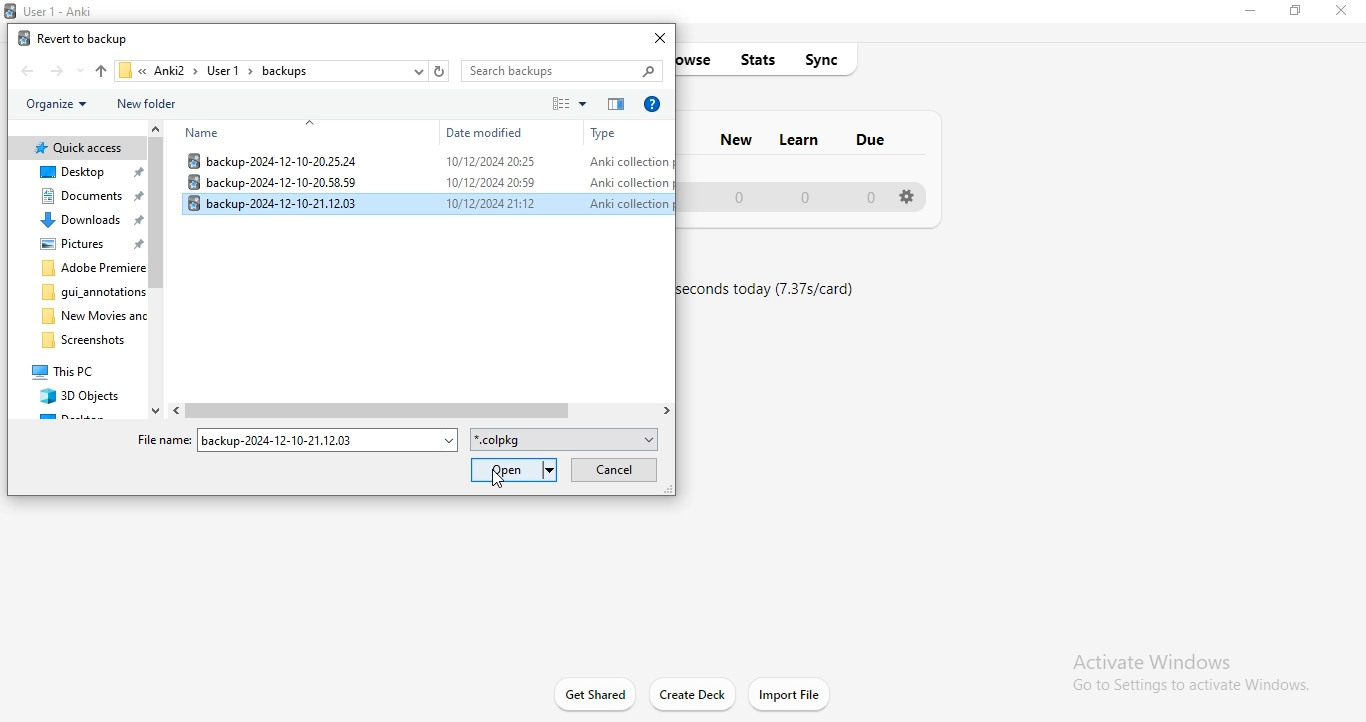 This screenshot has width=1366, height=722. I want to click on close, so click(661, 38).